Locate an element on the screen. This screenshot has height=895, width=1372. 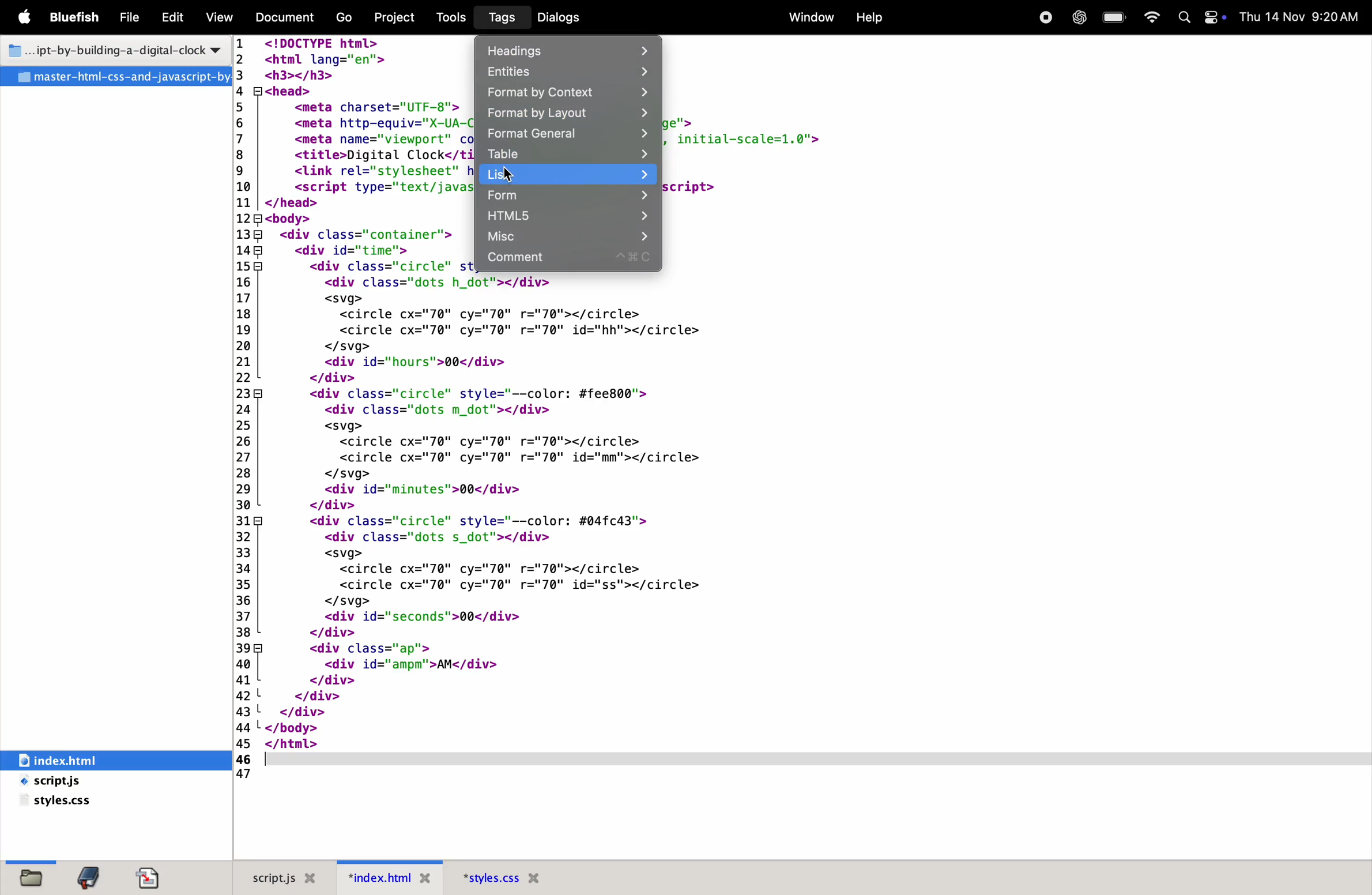
script.js is located at coordinates (287, 875).